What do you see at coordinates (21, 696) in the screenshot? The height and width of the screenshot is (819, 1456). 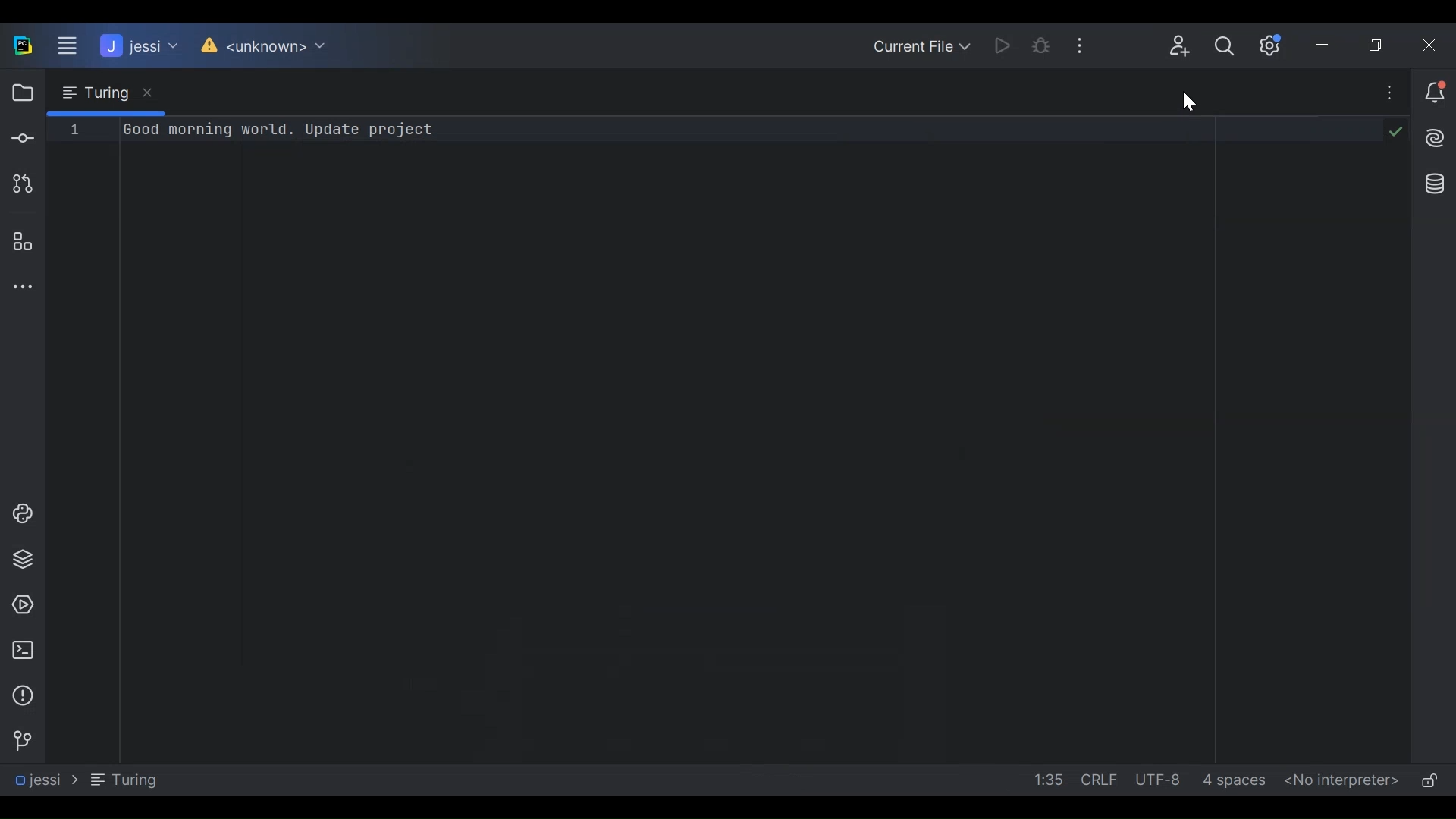 I see `Problem` at bounding box center [21, 696].